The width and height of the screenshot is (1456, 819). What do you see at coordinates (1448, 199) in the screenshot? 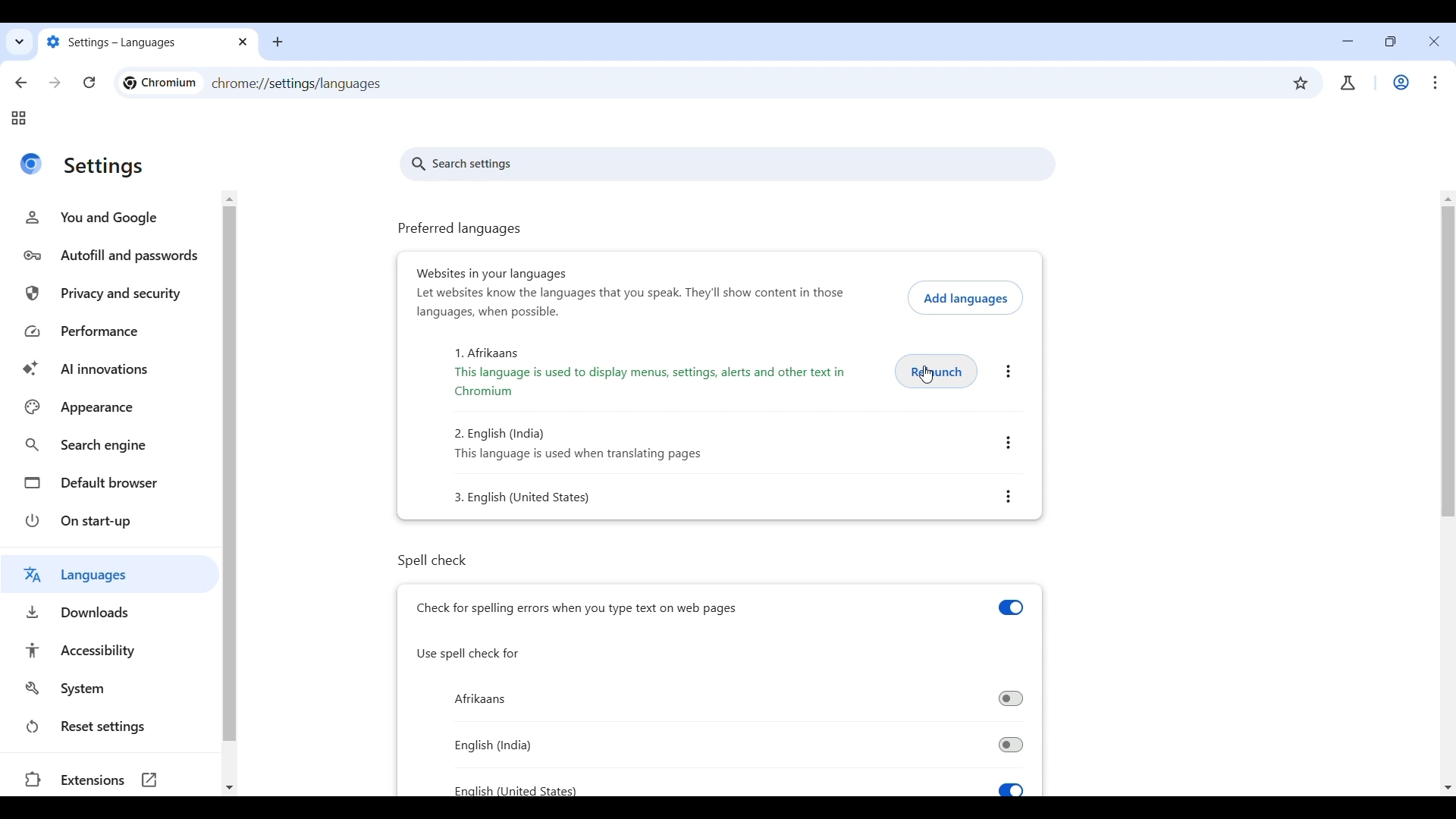
I see `Quick slide to top` at bounding box center [1448, 199].